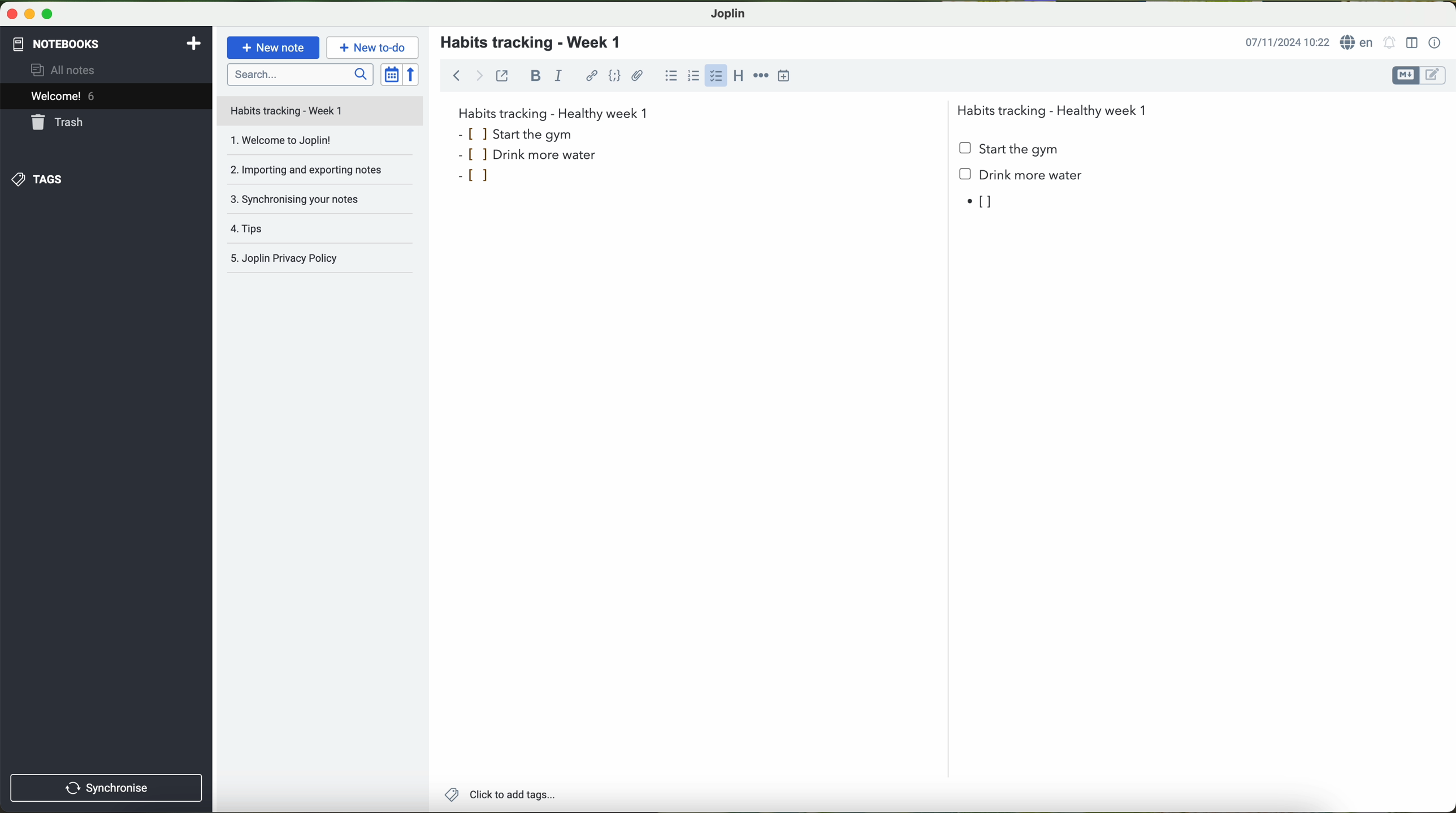  What do you see at coordinates (1287, 41) in the screenshot?
I see `date and hour` at bounding box center [1287, 41].